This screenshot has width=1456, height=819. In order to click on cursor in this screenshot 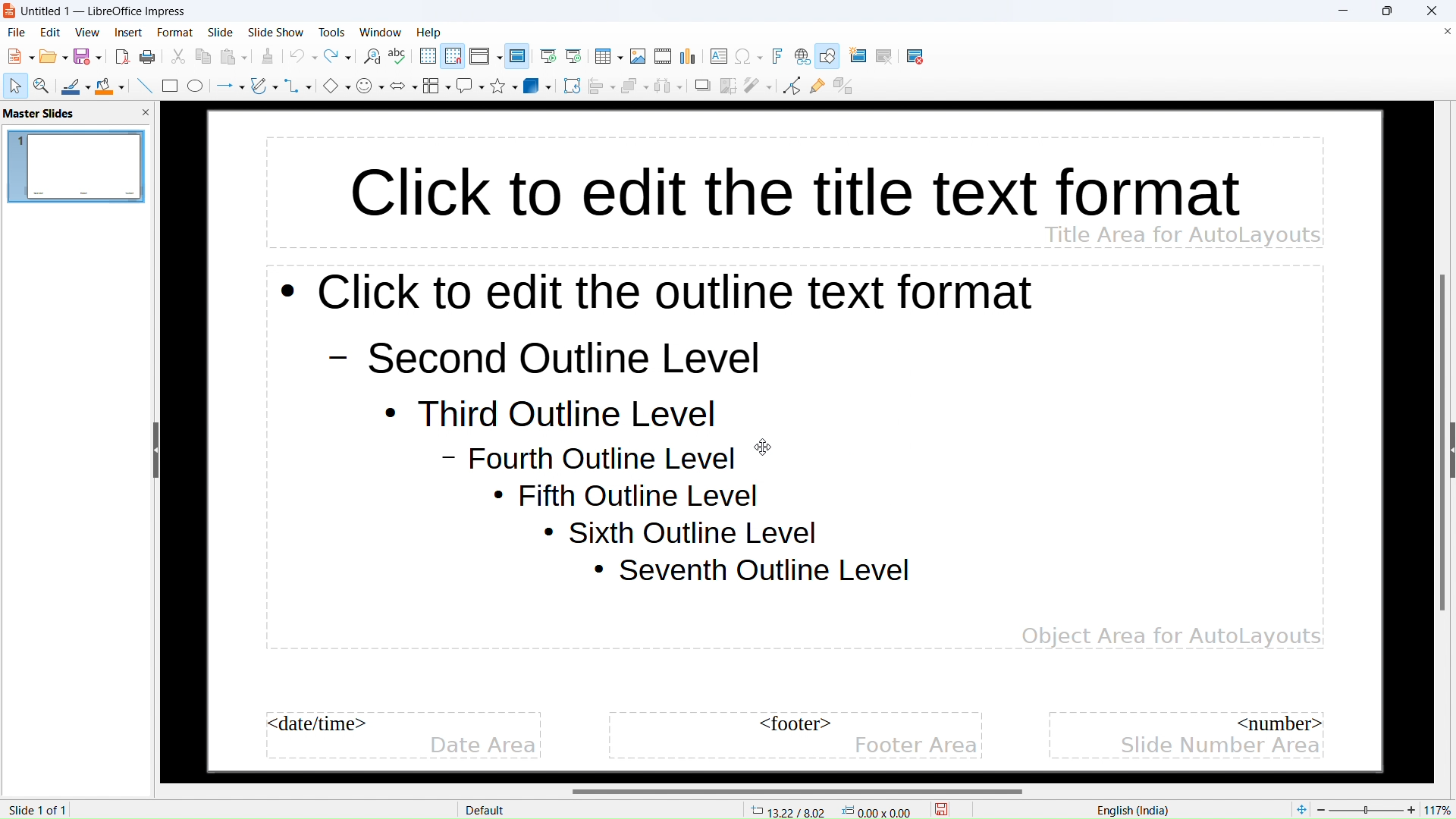, I will do `click(762, 447)`.